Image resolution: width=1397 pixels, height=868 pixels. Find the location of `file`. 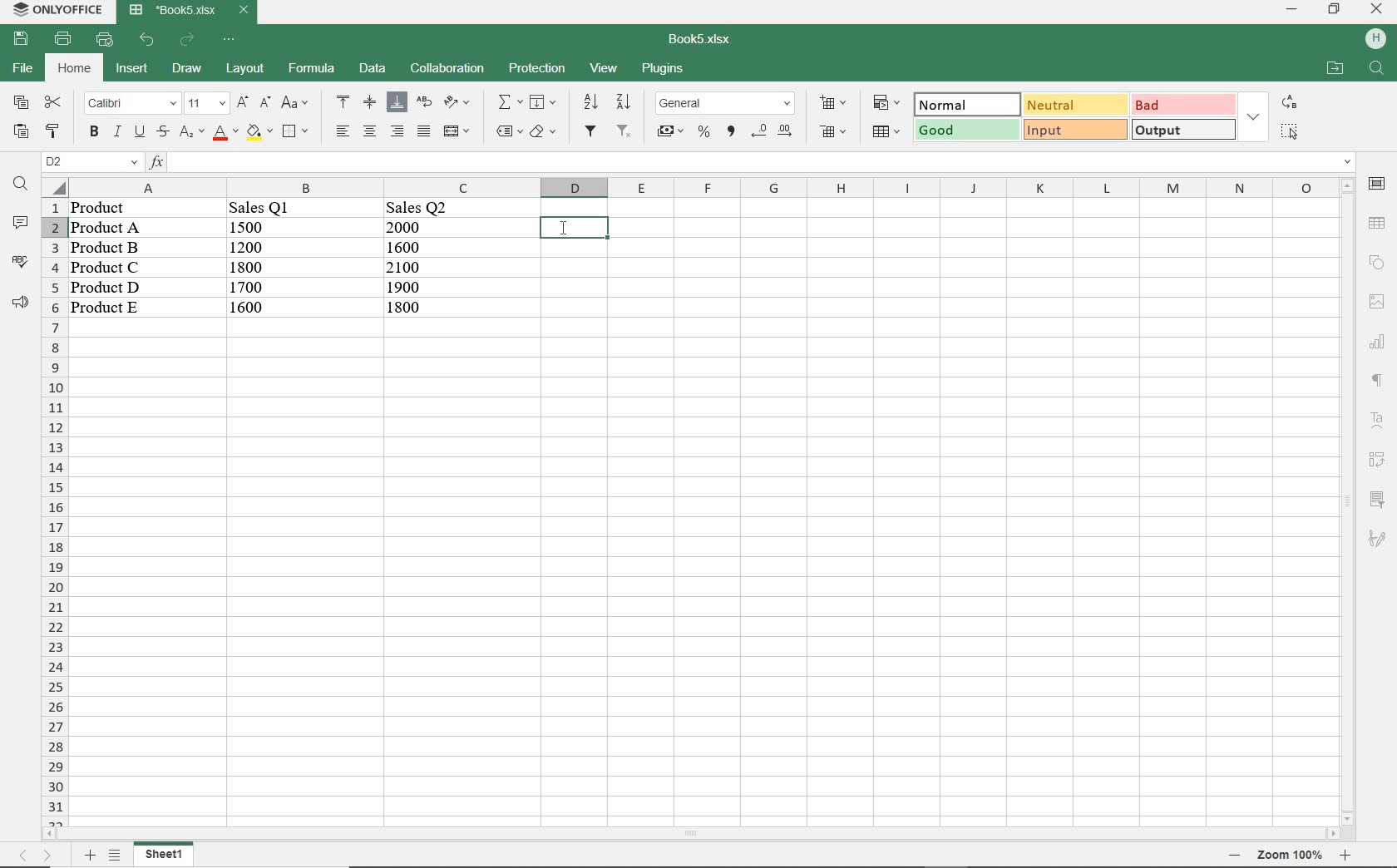

file is located at coordinates (25, 67).